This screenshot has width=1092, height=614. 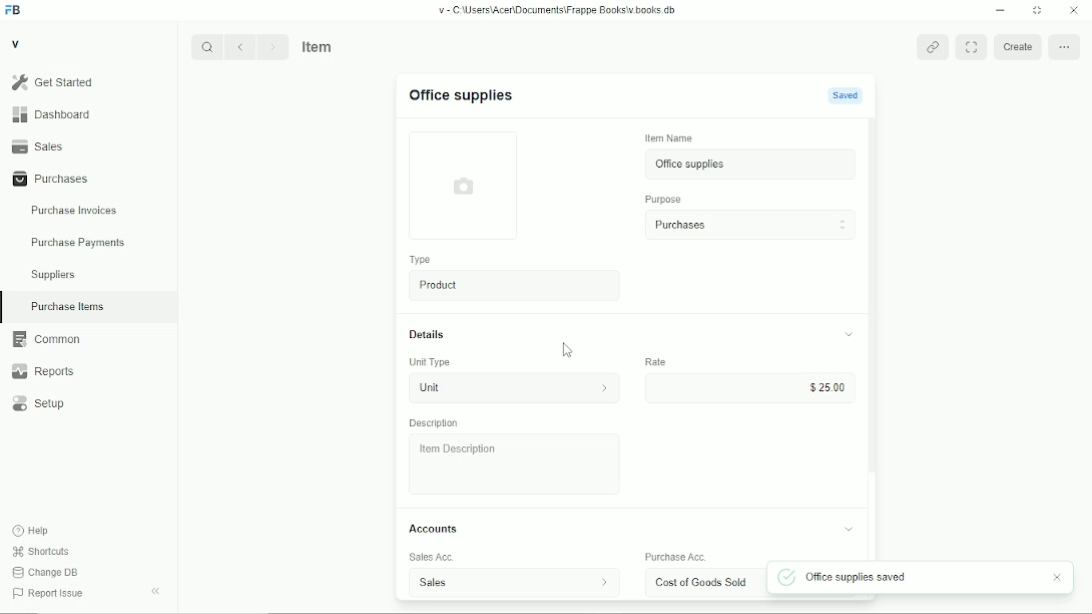 What do you see at coordinates (39, 404) in the screenshot?
I see `setup` at bounding box center [39, 404].